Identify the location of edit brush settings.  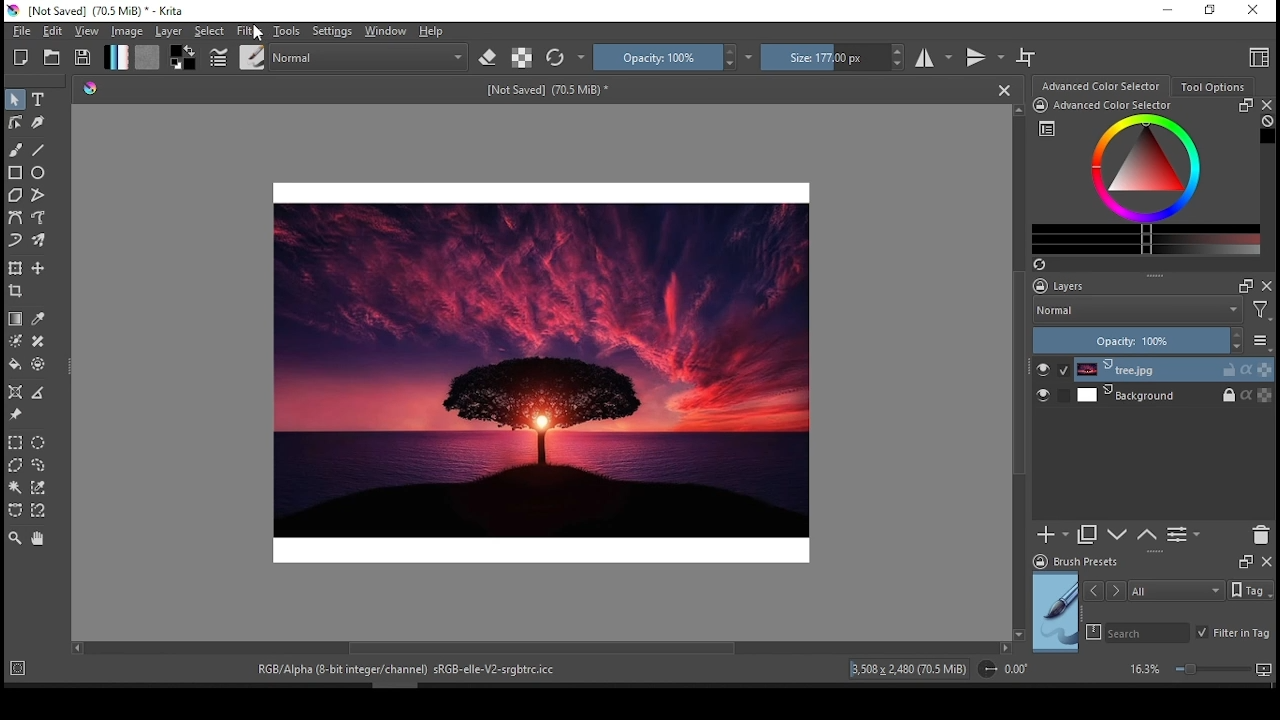
(219, 56).